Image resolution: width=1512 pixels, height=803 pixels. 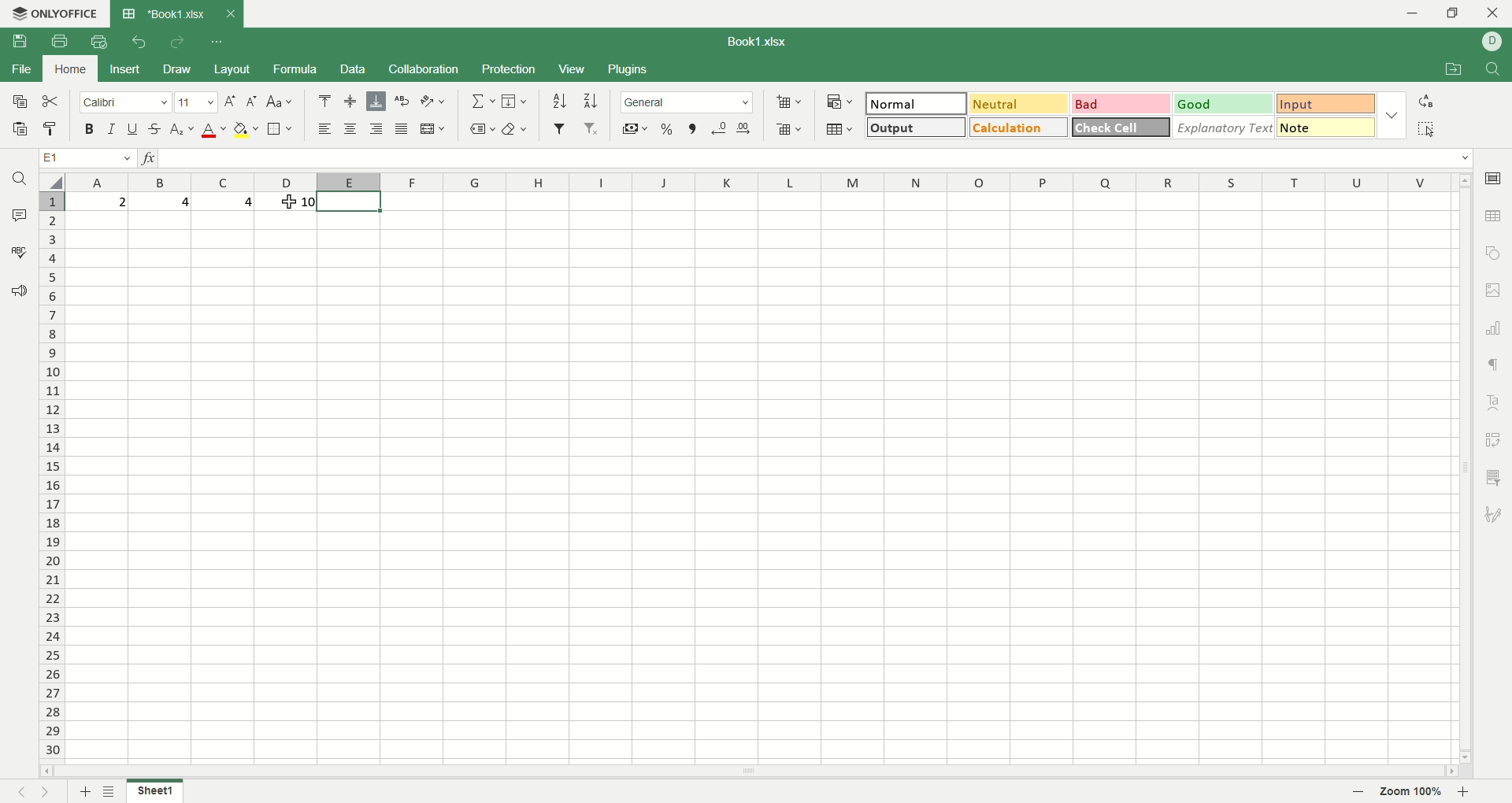 I want to click on select all, so click(x=50, y=183).